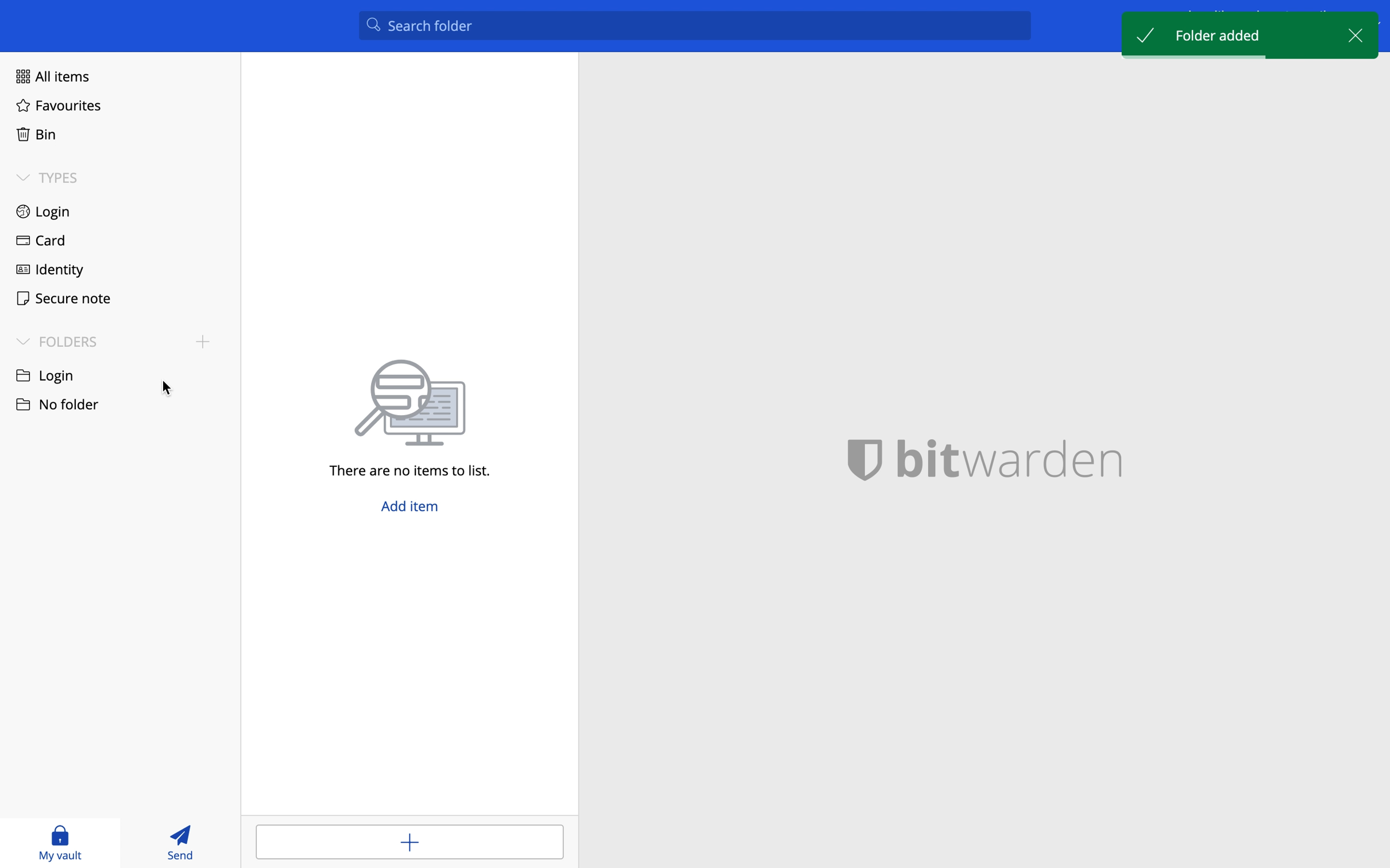 The width and height of the screenshot is (1390, 868). I want to click on send, so click(183, 842).